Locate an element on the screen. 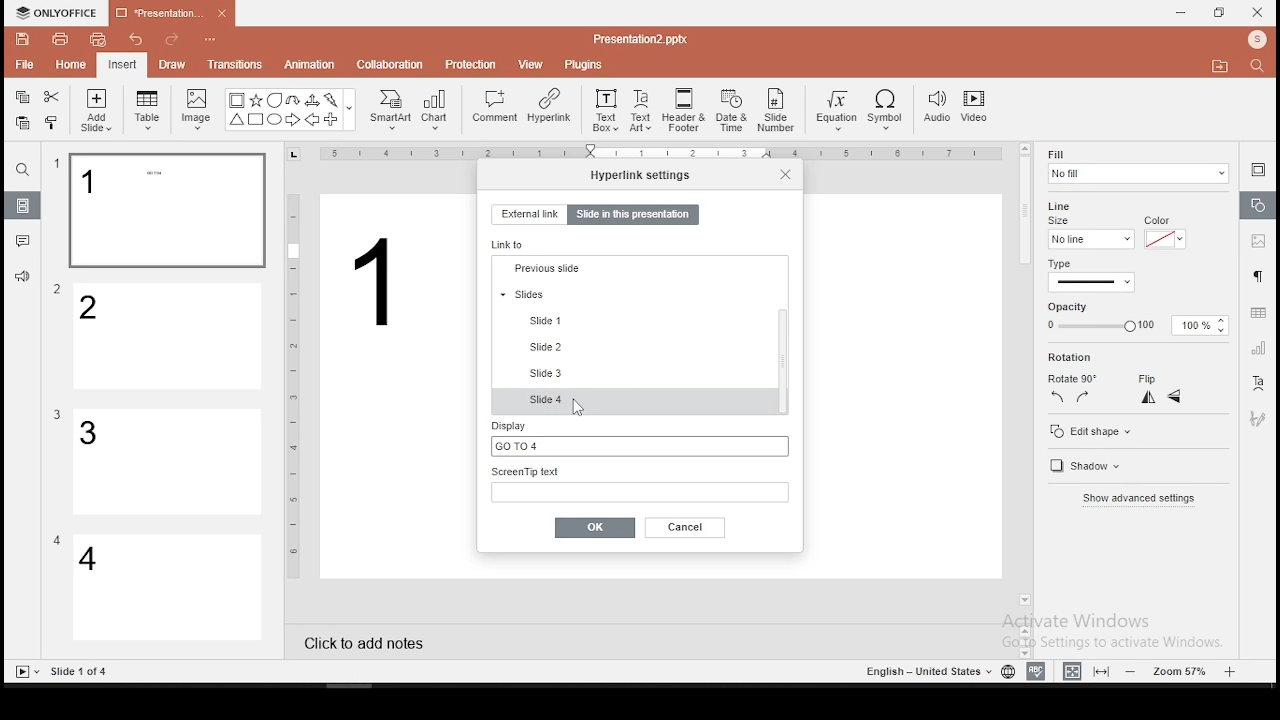 The image size is (1280, 720).  is located at coordinates (378, 283).